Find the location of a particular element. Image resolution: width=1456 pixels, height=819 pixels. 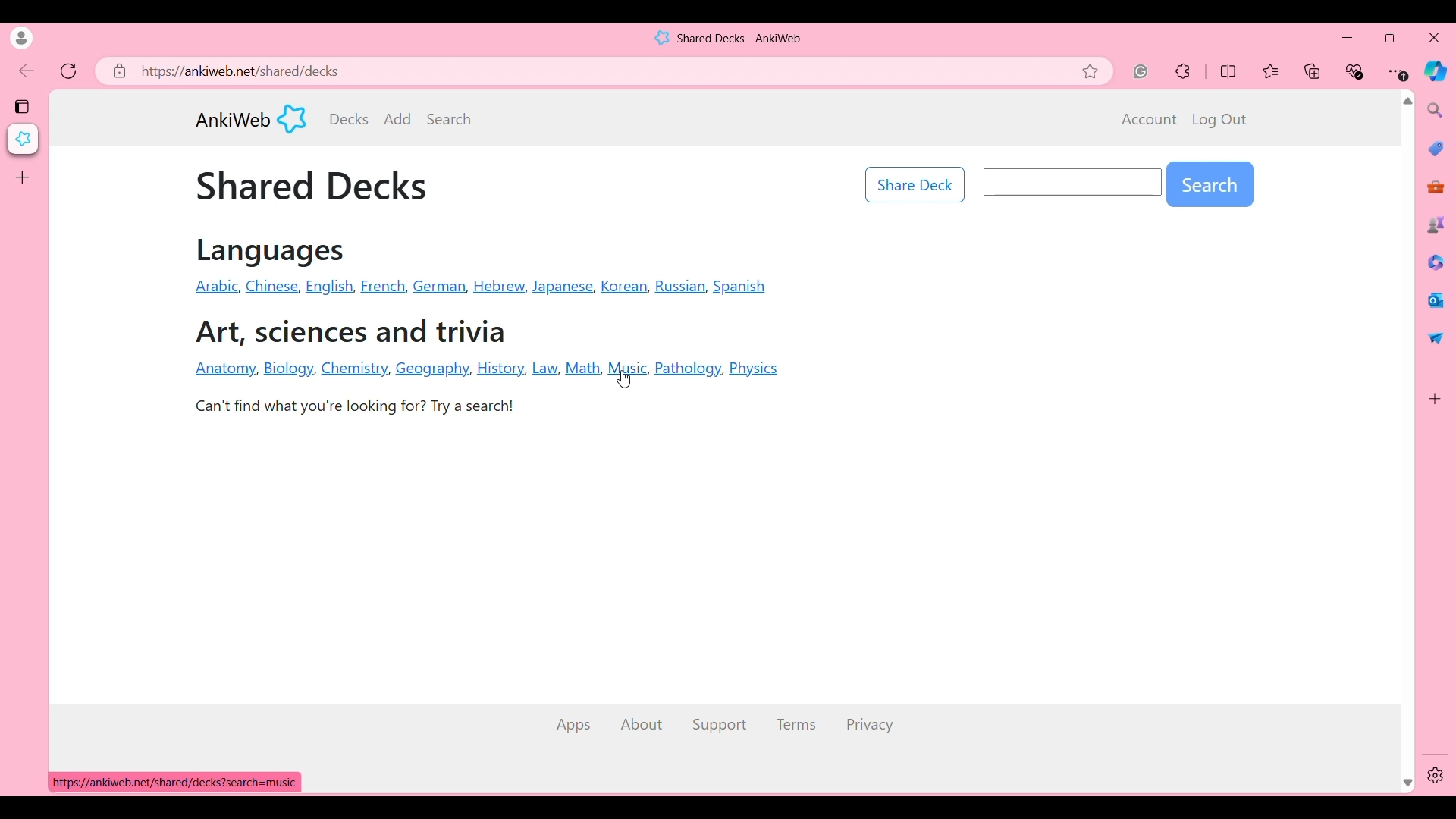

Apps is located at coordinates (573, 726).